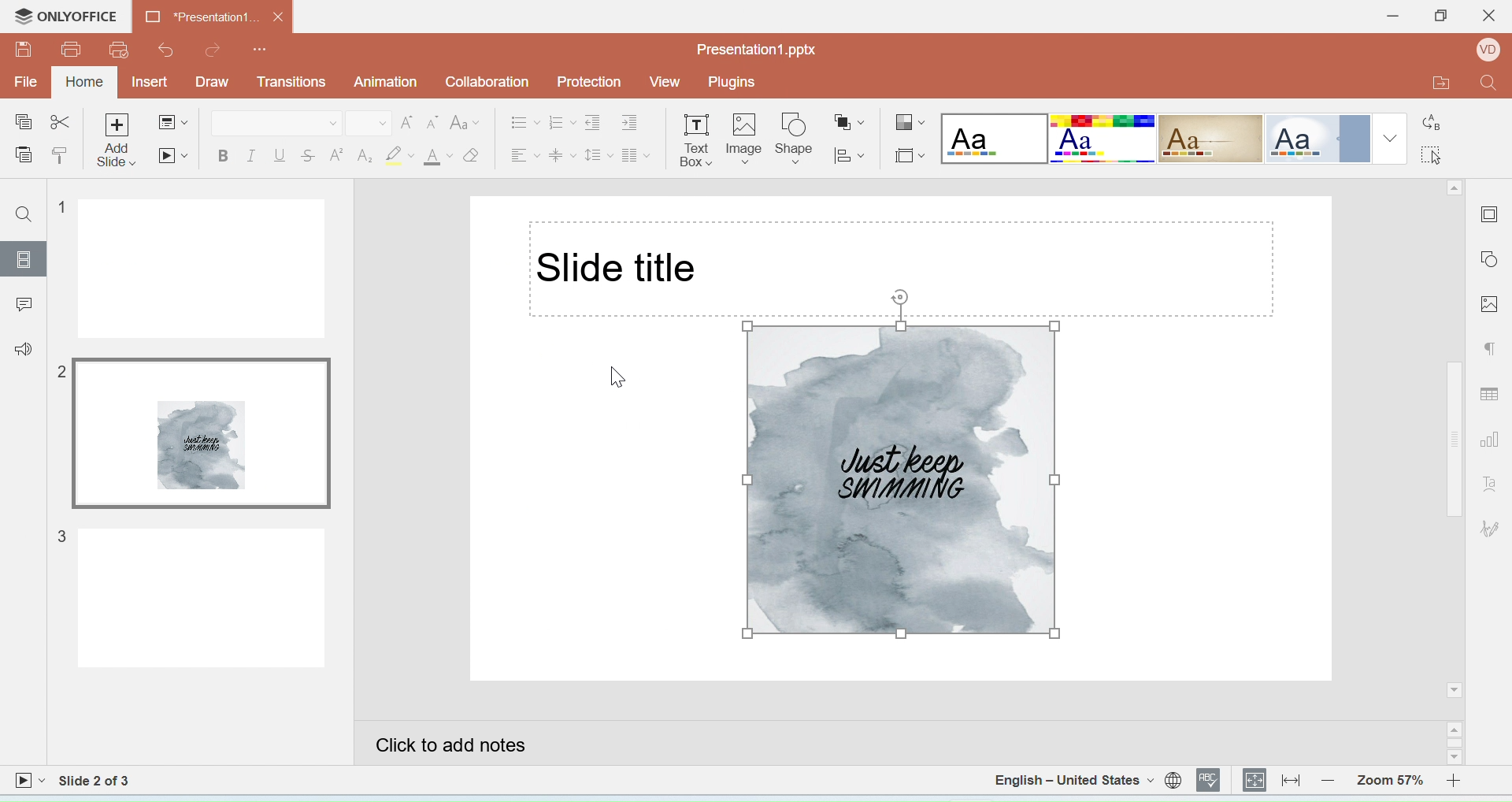 Image resolution: width=1512 pixels, height=802 pixels. I want to click on Drop down, so click(1391, 138).